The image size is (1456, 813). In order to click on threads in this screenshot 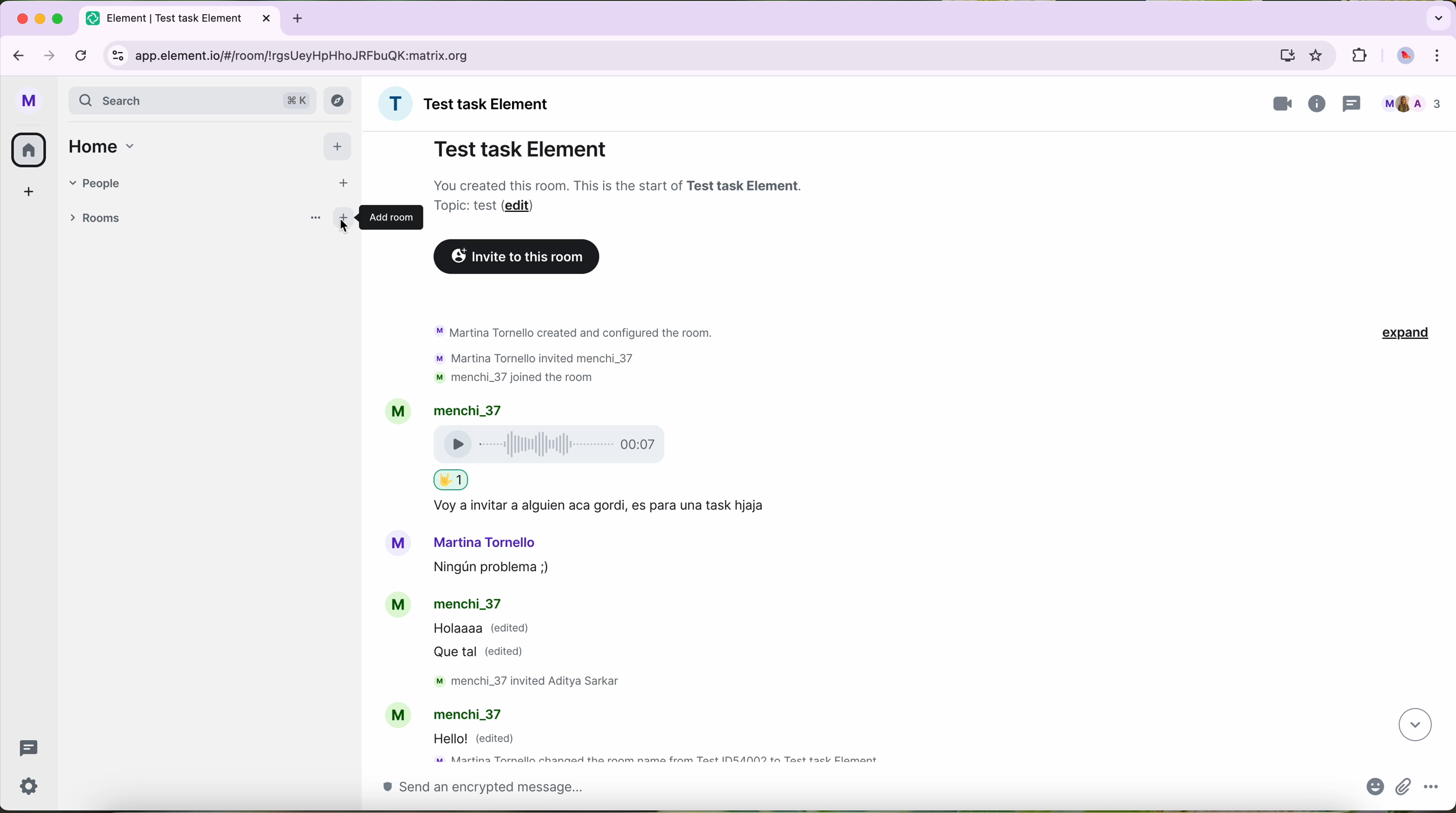, I will do `click(28, 750)`.